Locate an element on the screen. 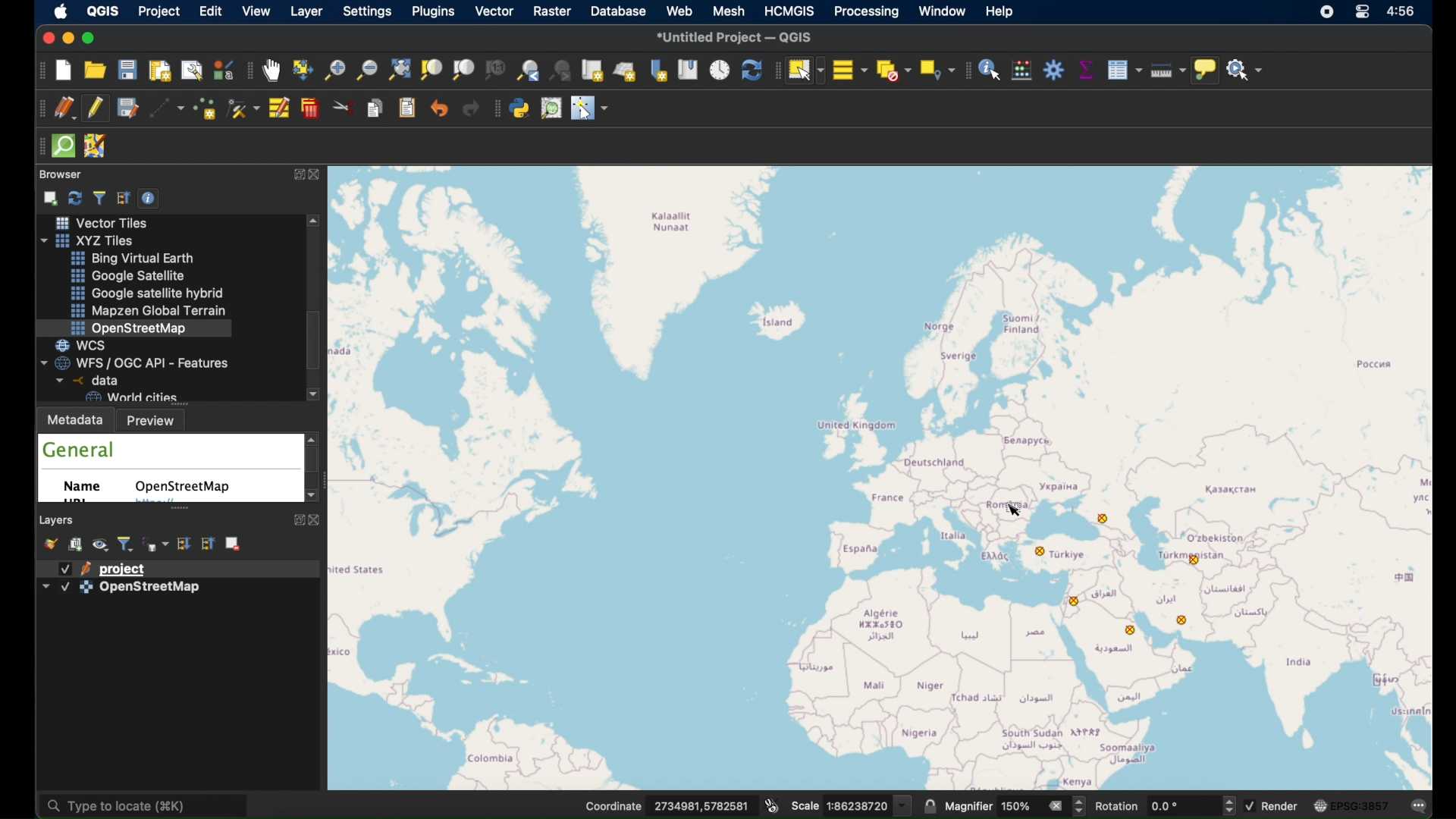  zoom in is located at coordinates (334, 74).